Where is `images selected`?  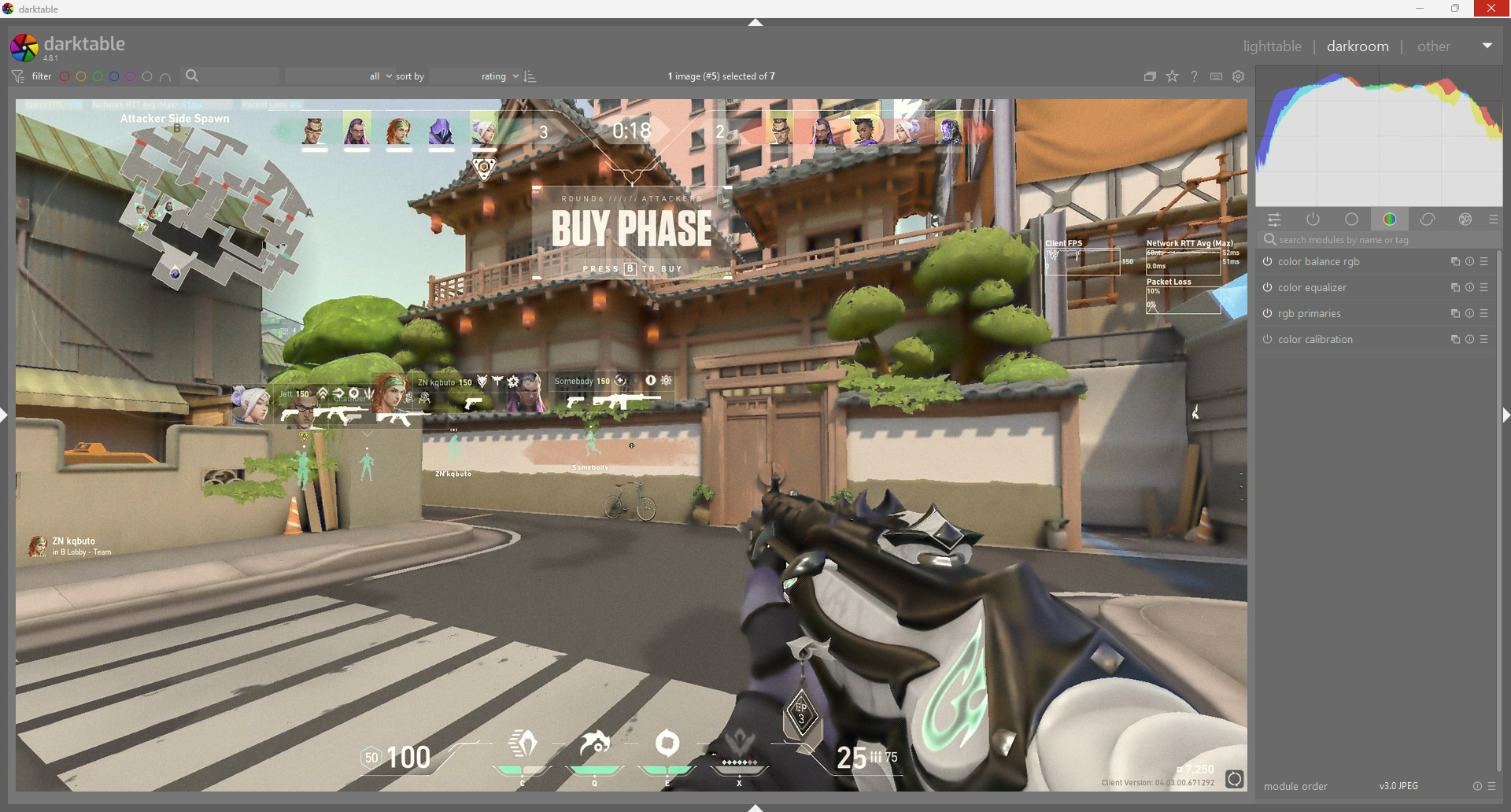 images selected is located at coordinates (724, 77).